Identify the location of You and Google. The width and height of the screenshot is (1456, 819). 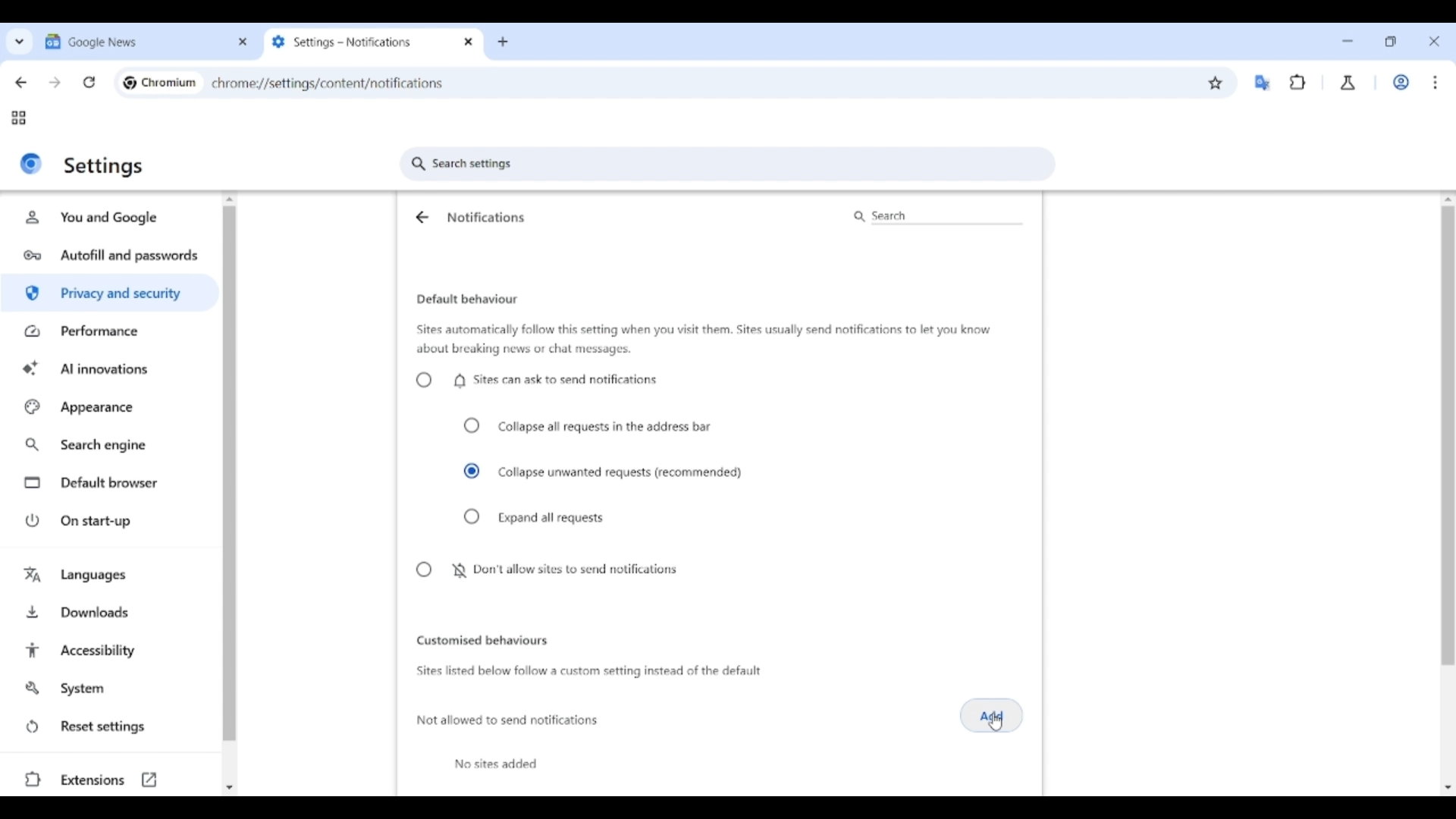
(107, 218).